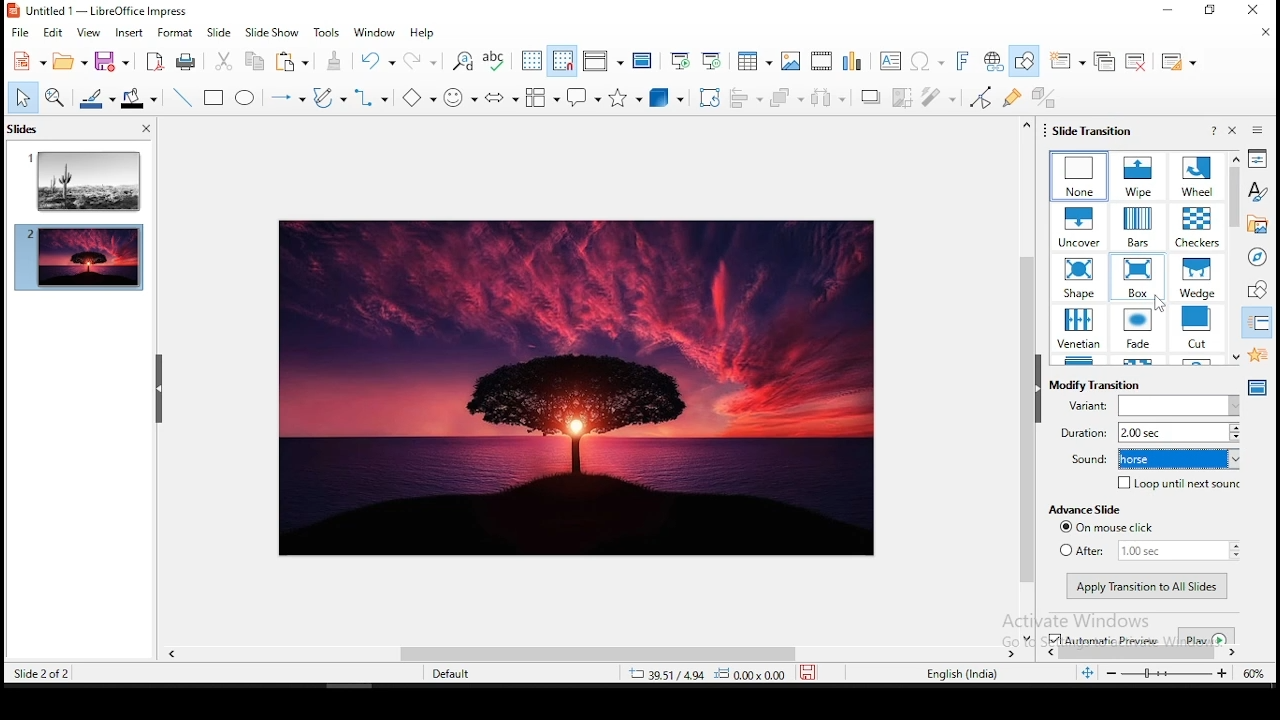 This screenshot has height=720, width=1280. I want to click on gallery, so click(1259, 225).